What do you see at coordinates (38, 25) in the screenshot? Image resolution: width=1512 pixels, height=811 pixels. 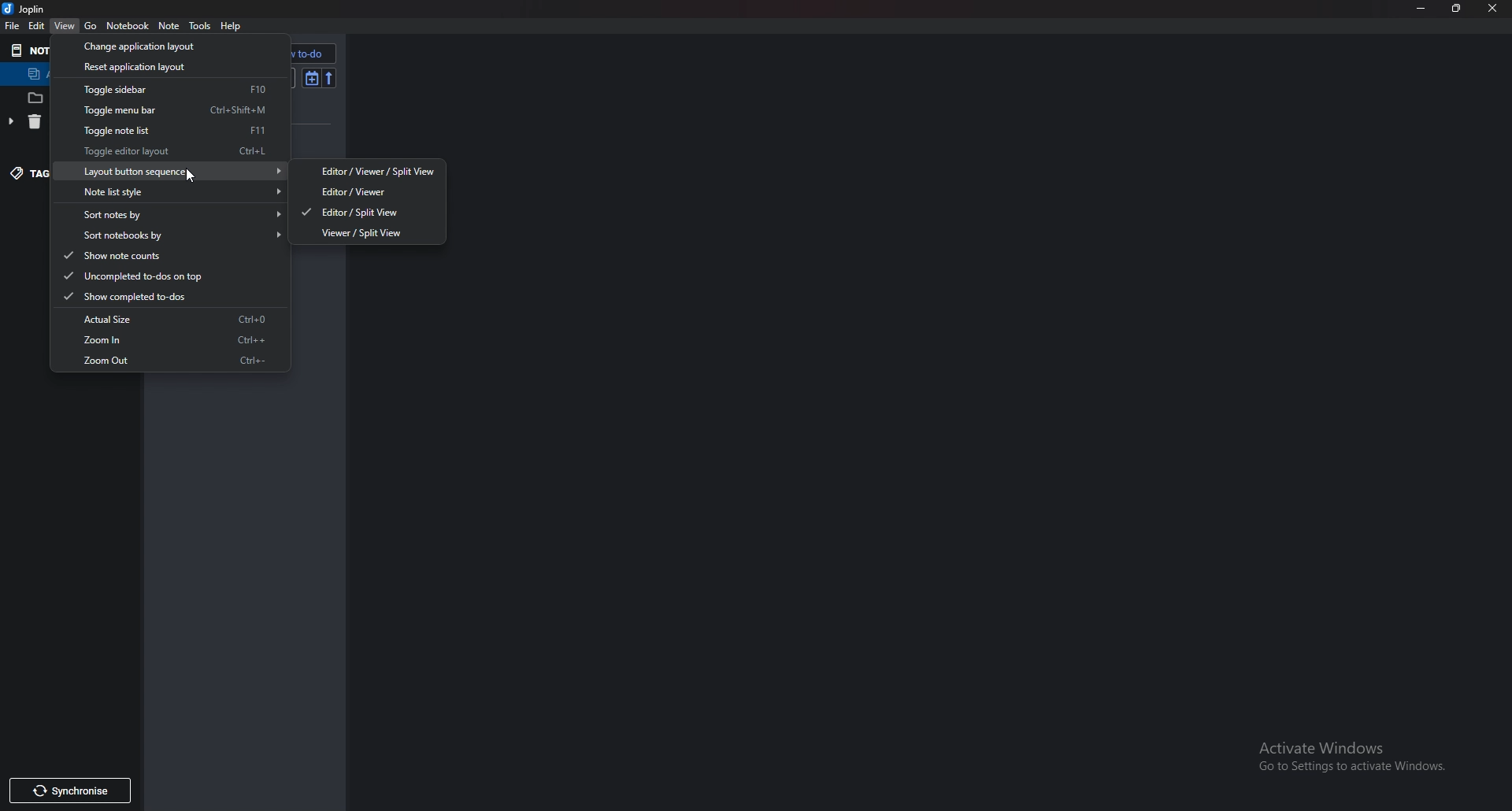 I see `edit` at bounding box center [38, 25].